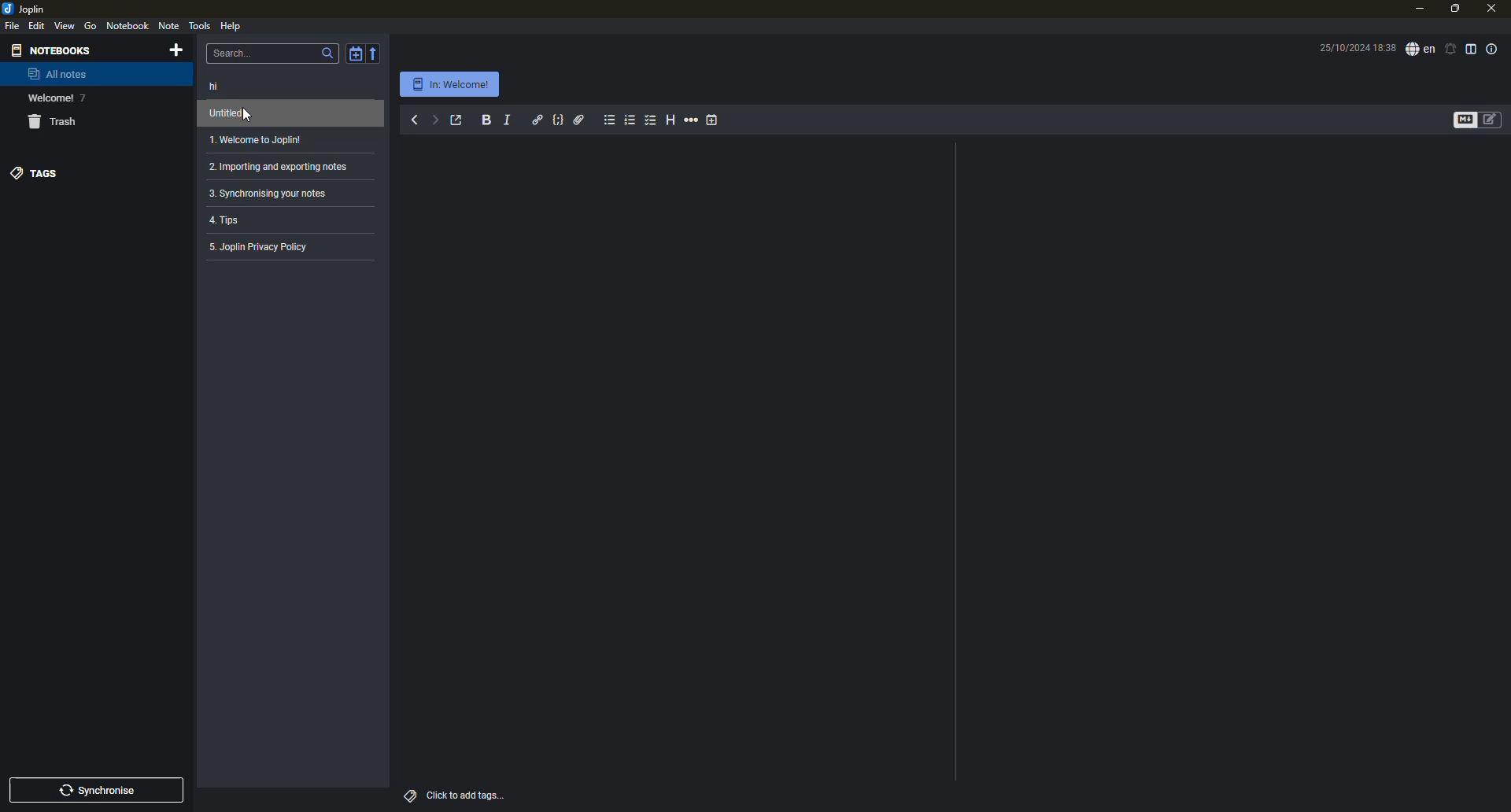  Describe the element at coordinates (1494, 9) in the screenshot. I see `close` at that location.